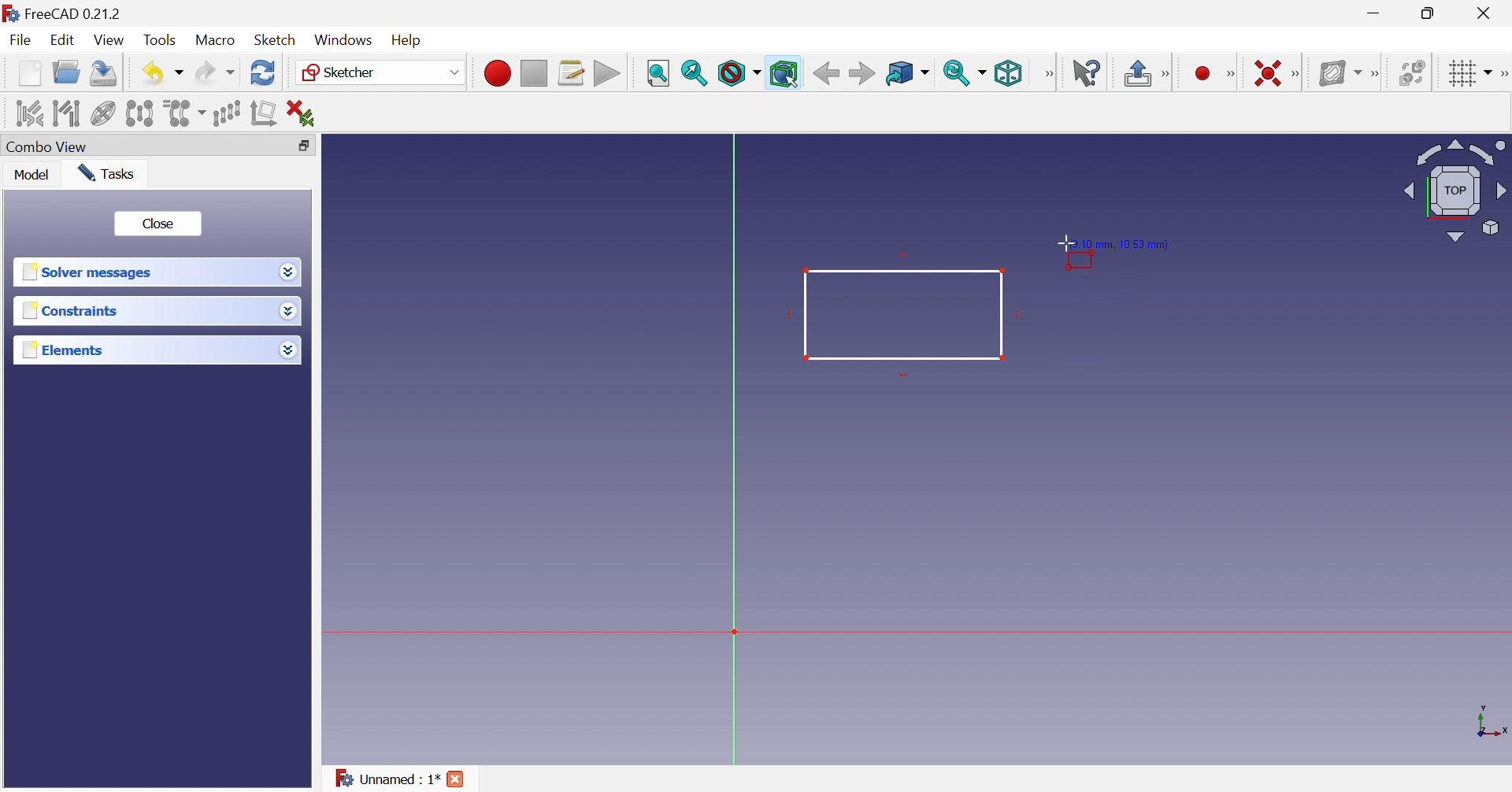 This screenshot has height=792, width=1512. Describe the element at coordinates (1296, 72) in the screenshot. I see `Sketcher constraints` at that location.